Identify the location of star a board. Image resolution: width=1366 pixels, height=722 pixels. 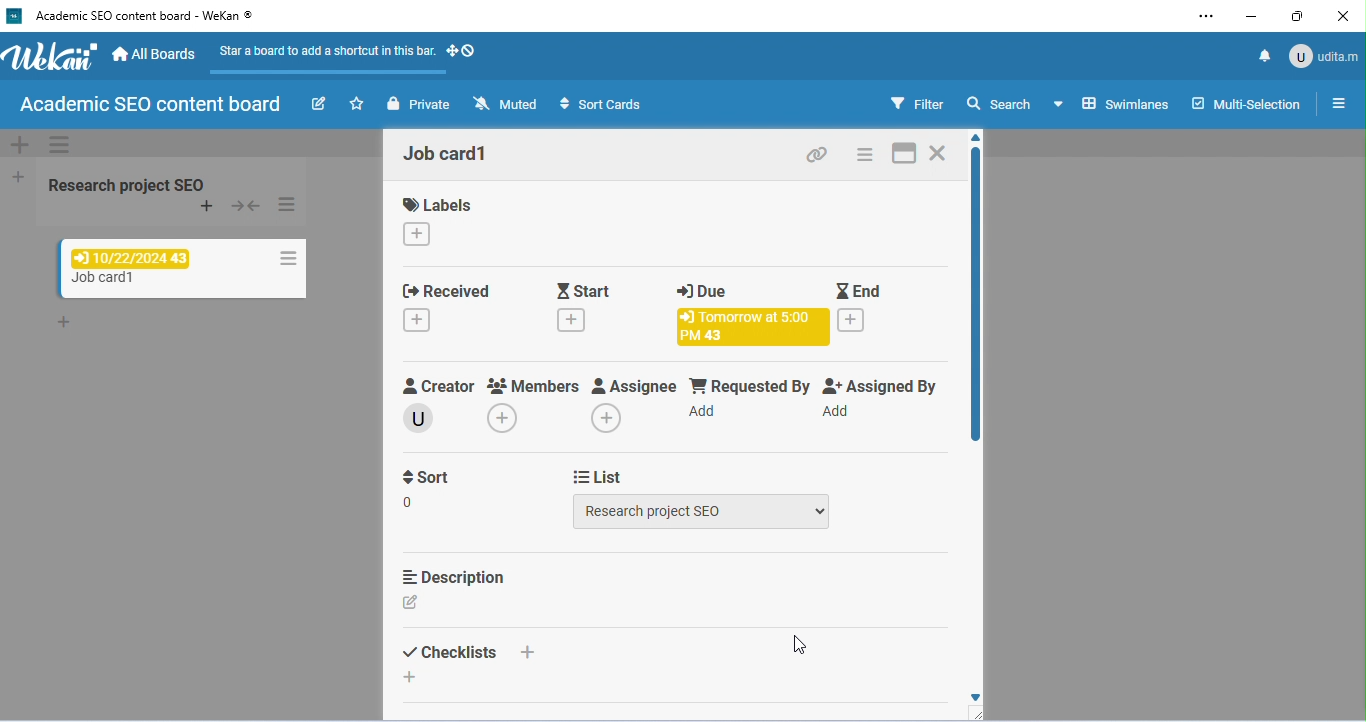
(359, 104).